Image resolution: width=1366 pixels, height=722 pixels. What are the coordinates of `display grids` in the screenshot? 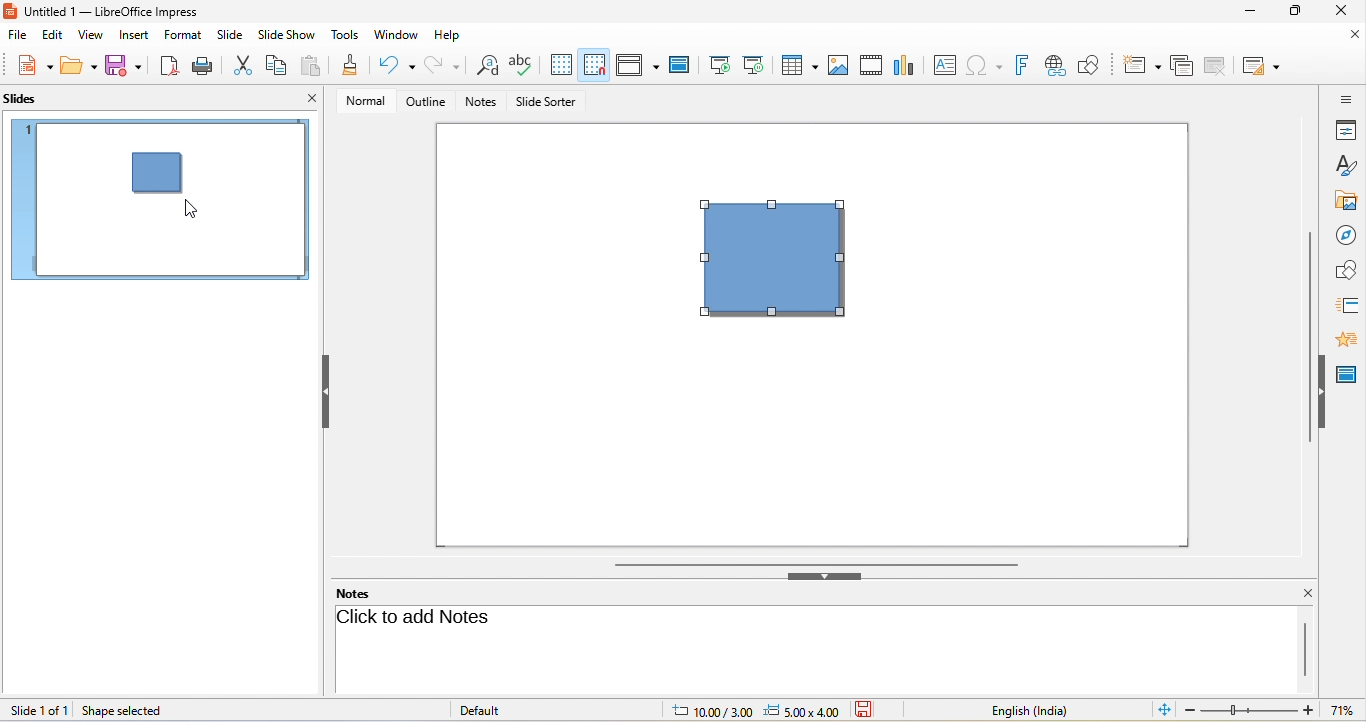 It's located at (561, 65).